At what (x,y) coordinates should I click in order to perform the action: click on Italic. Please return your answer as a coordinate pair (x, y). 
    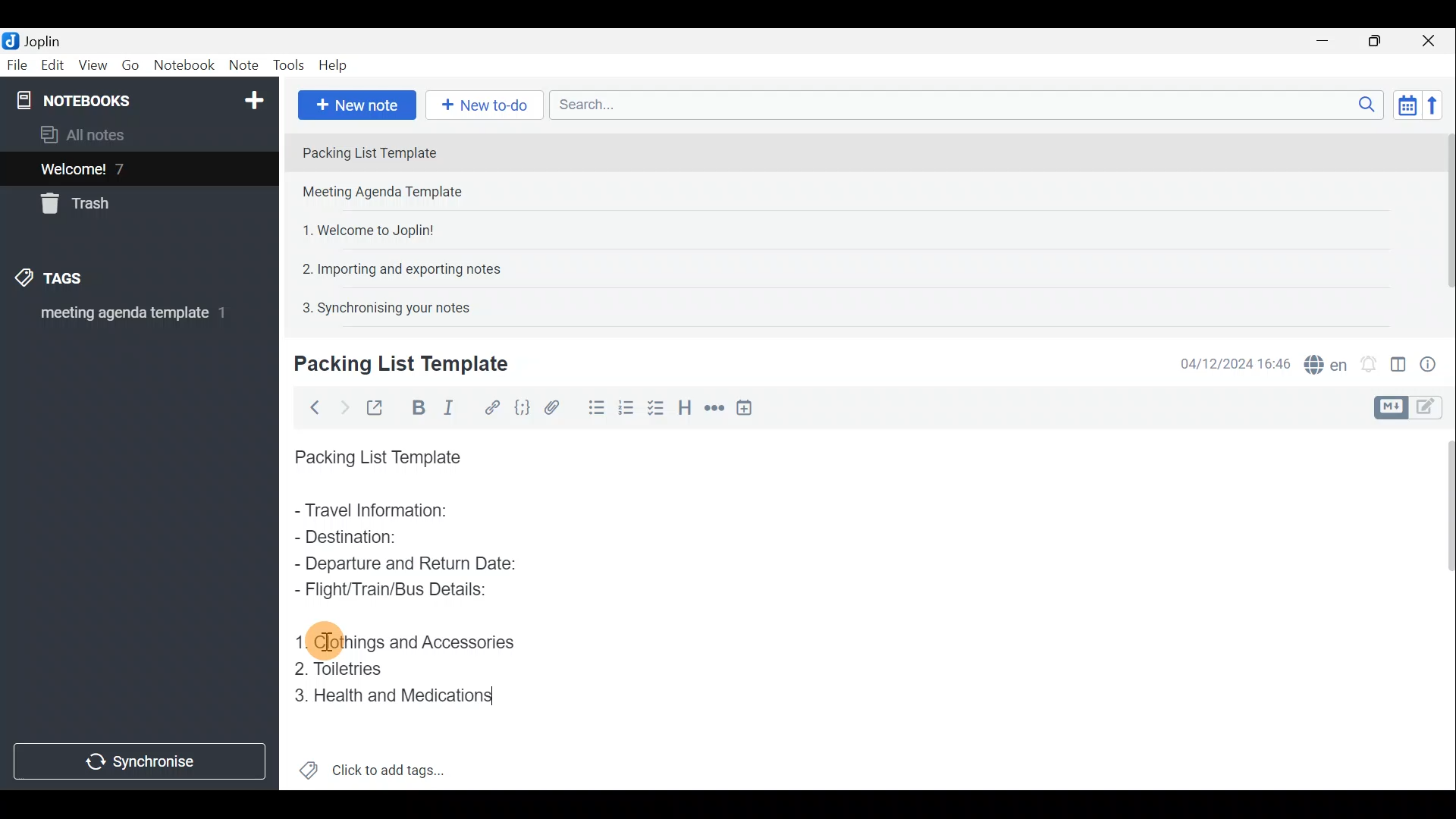
    Looking at the image, I should click on (454, 407).